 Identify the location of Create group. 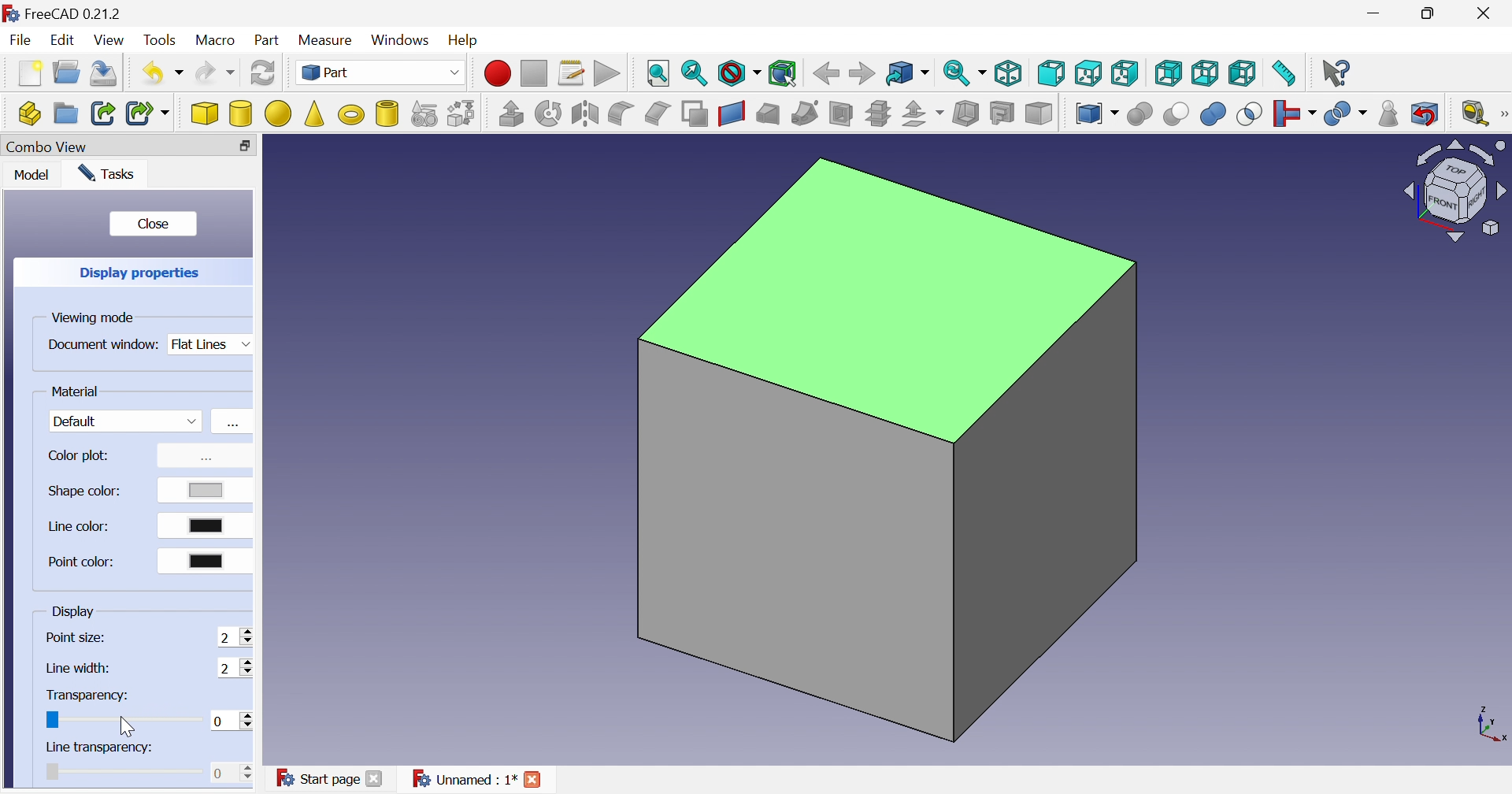
(65, 113).